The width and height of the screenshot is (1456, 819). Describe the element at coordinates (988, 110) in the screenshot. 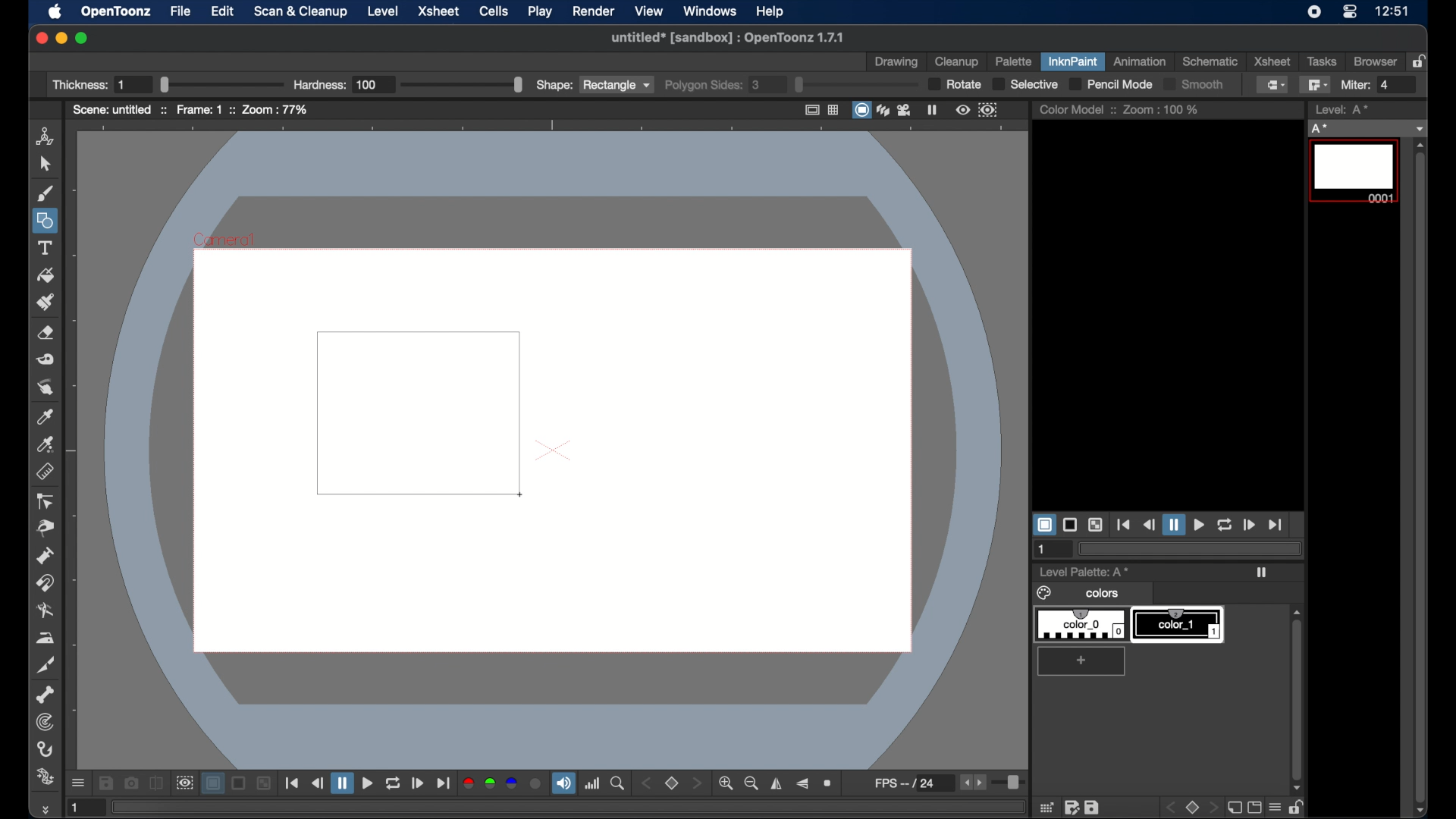

I see `sub camera preview` at that location.